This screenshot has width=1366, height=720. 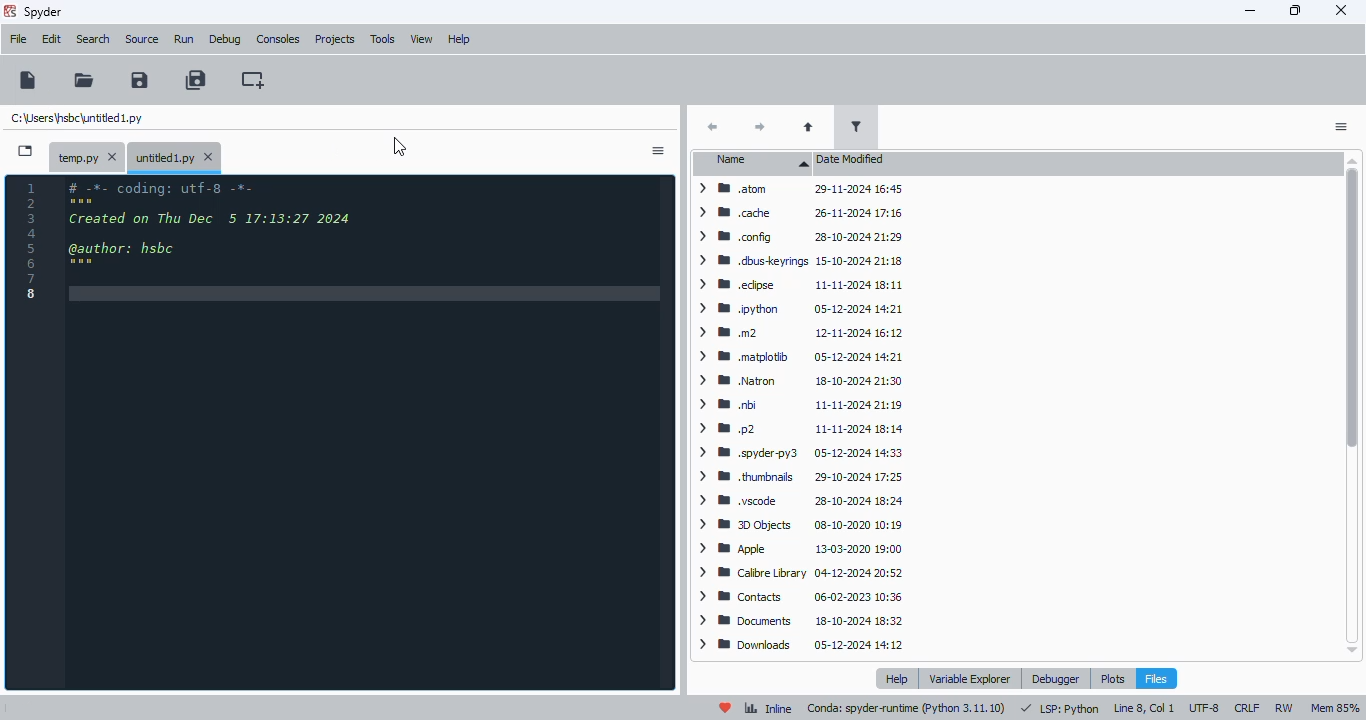 I want to click on > mp2 11-11-2024 18:14, so click(x=797, y=429).